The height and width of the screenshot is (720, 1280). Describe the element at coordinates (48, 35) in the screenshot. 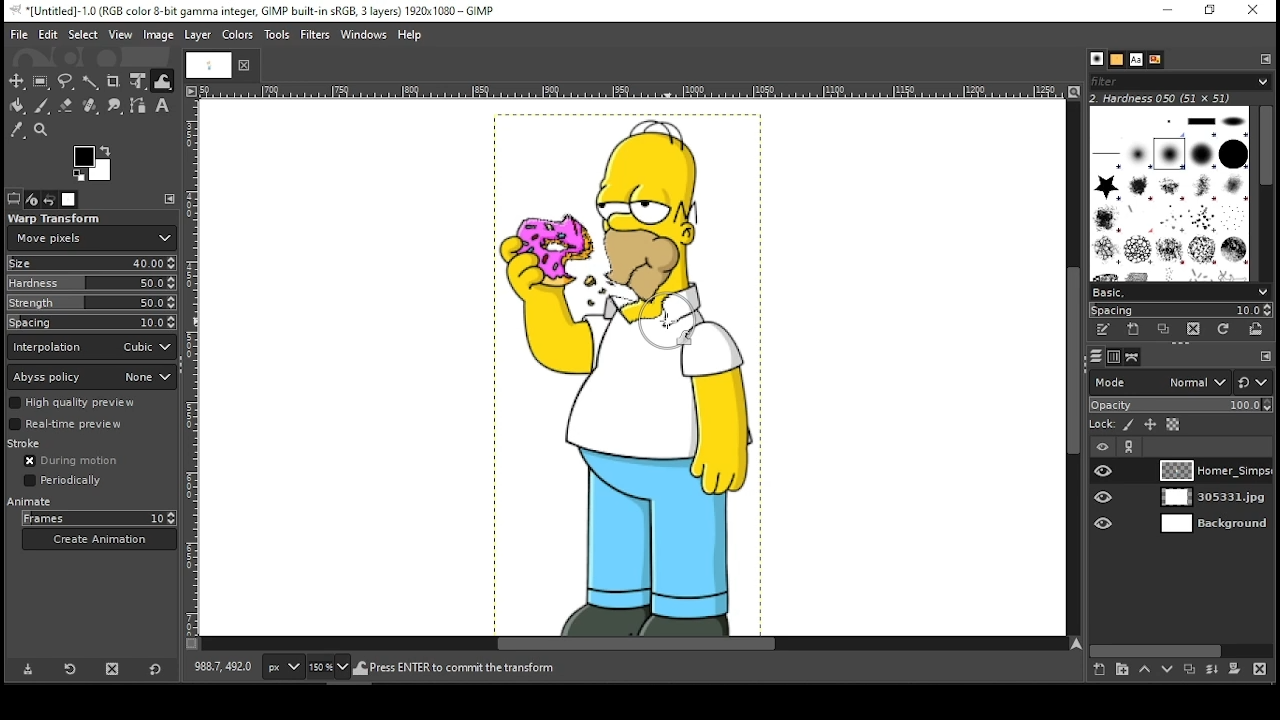

I see `edit` at that location.